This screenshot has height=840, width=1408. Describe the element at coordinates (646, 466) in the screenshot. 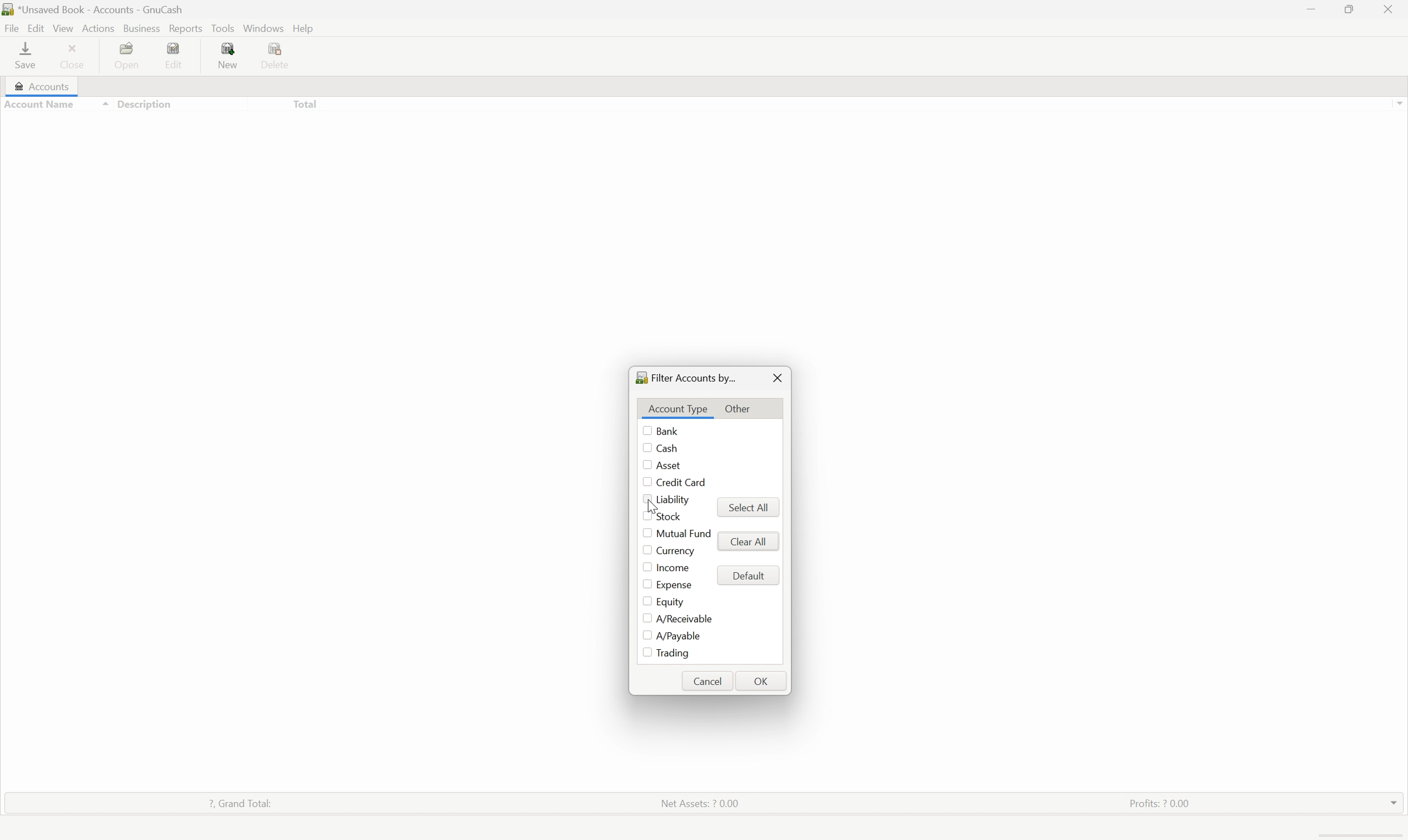

I see `Checkbox` at that location.